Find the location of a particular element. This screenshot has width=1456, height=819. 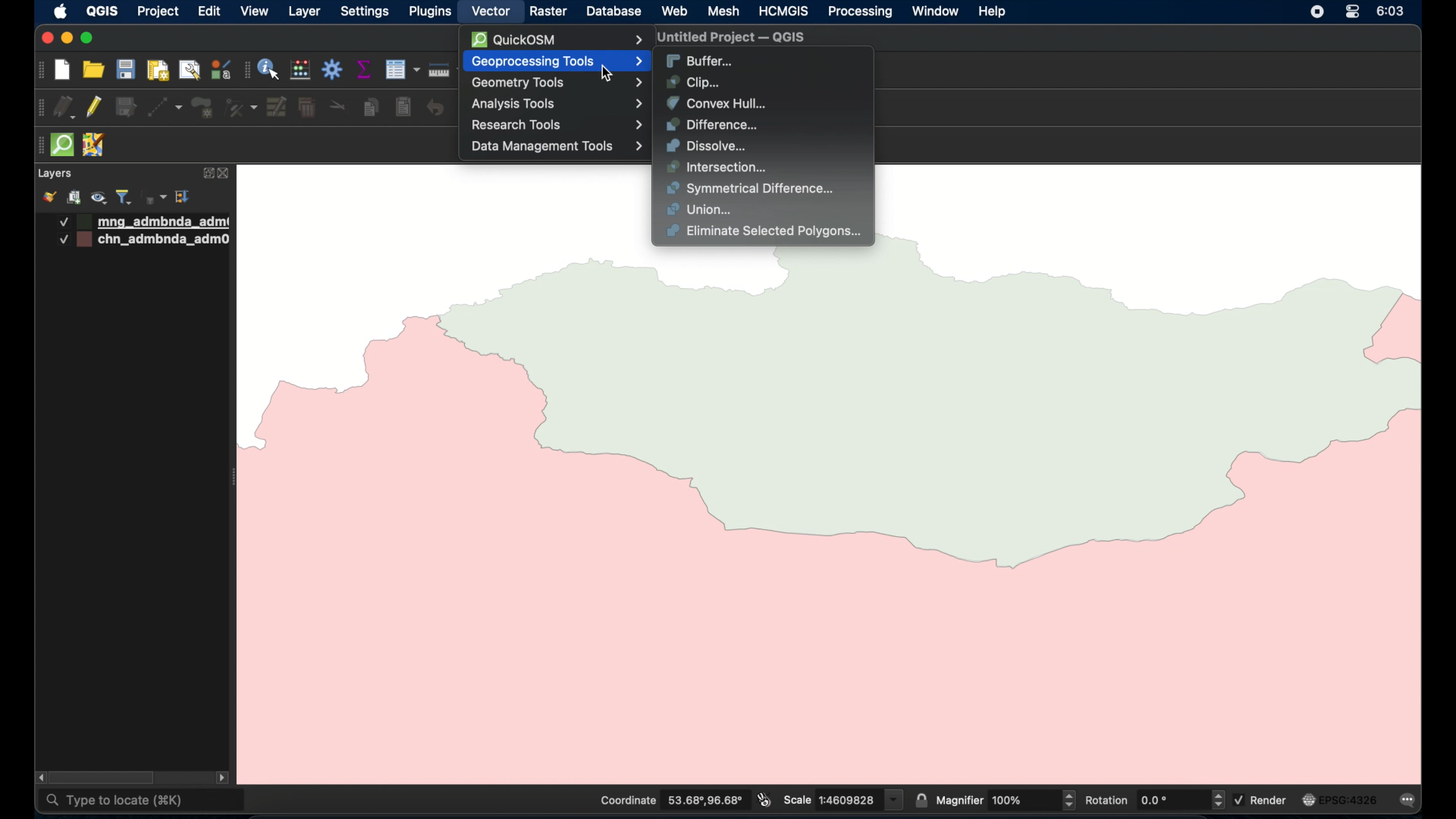

show statistical summary is located at coordinates (365, 69).